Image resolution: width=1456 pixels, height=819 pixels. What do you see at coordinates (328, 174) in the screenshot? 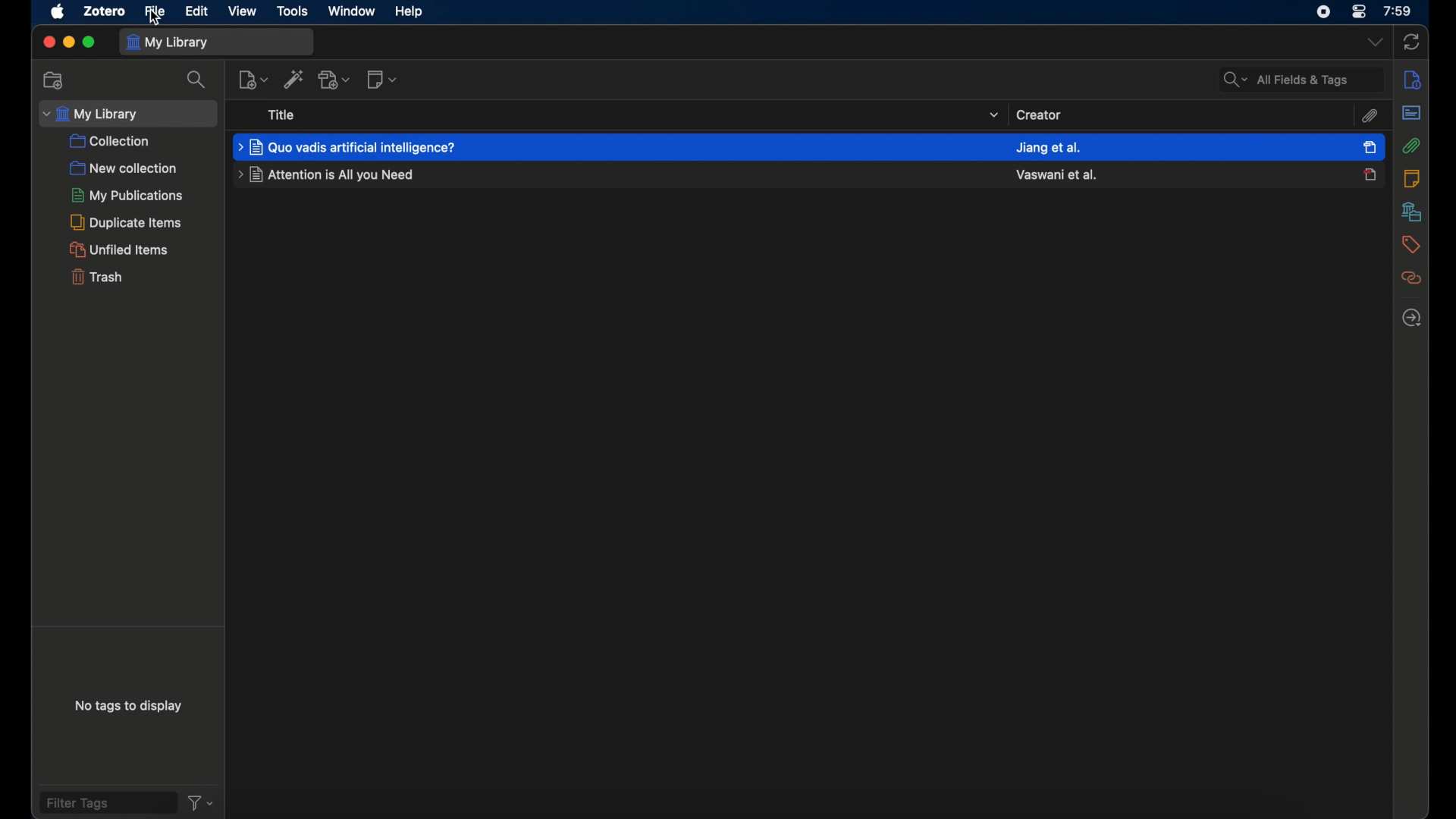
I see `item title` at bounding box center [328, 174].